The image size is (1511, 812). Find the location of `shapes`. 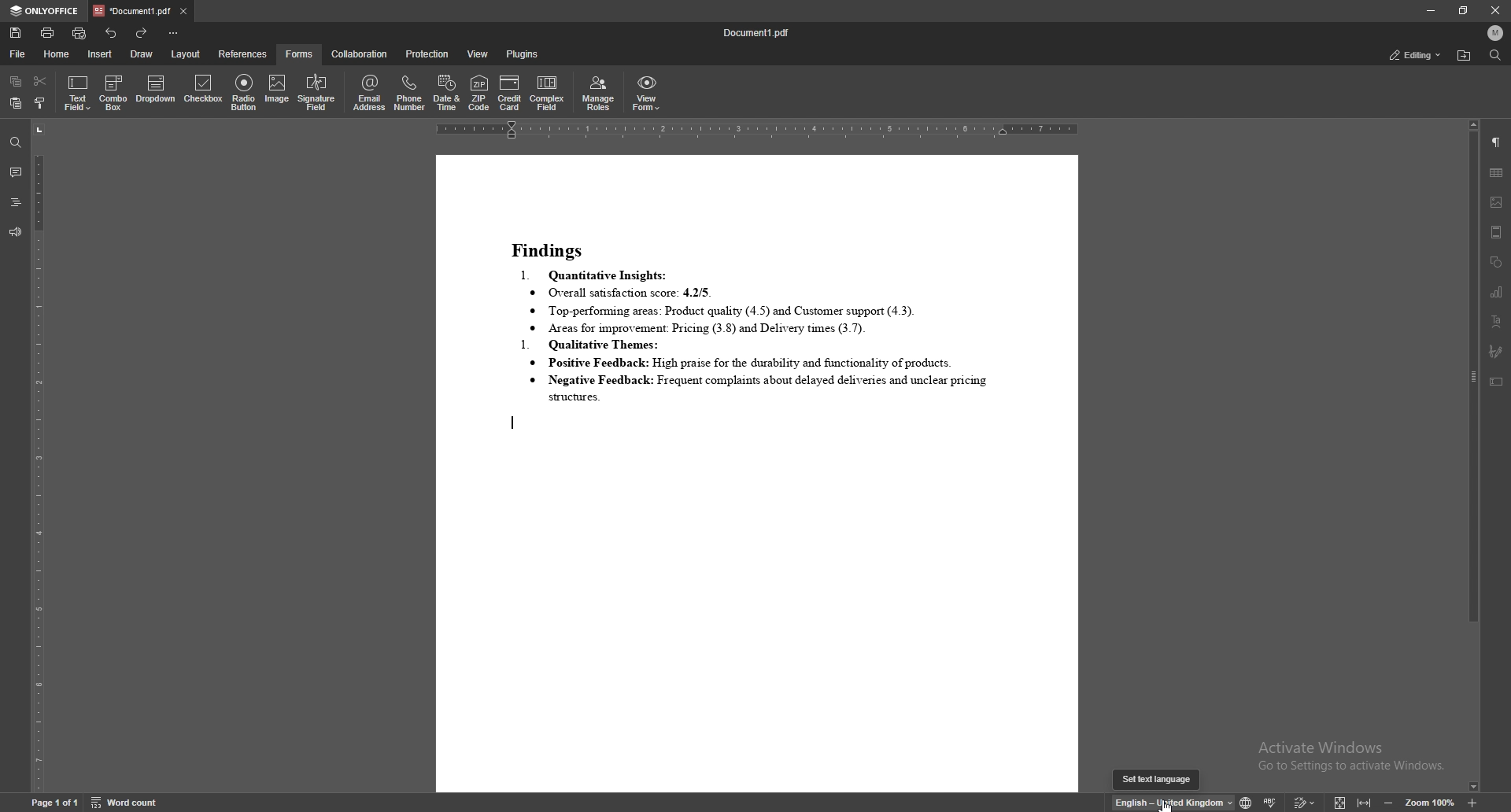

shapes is located at coordinates (1497, 263).